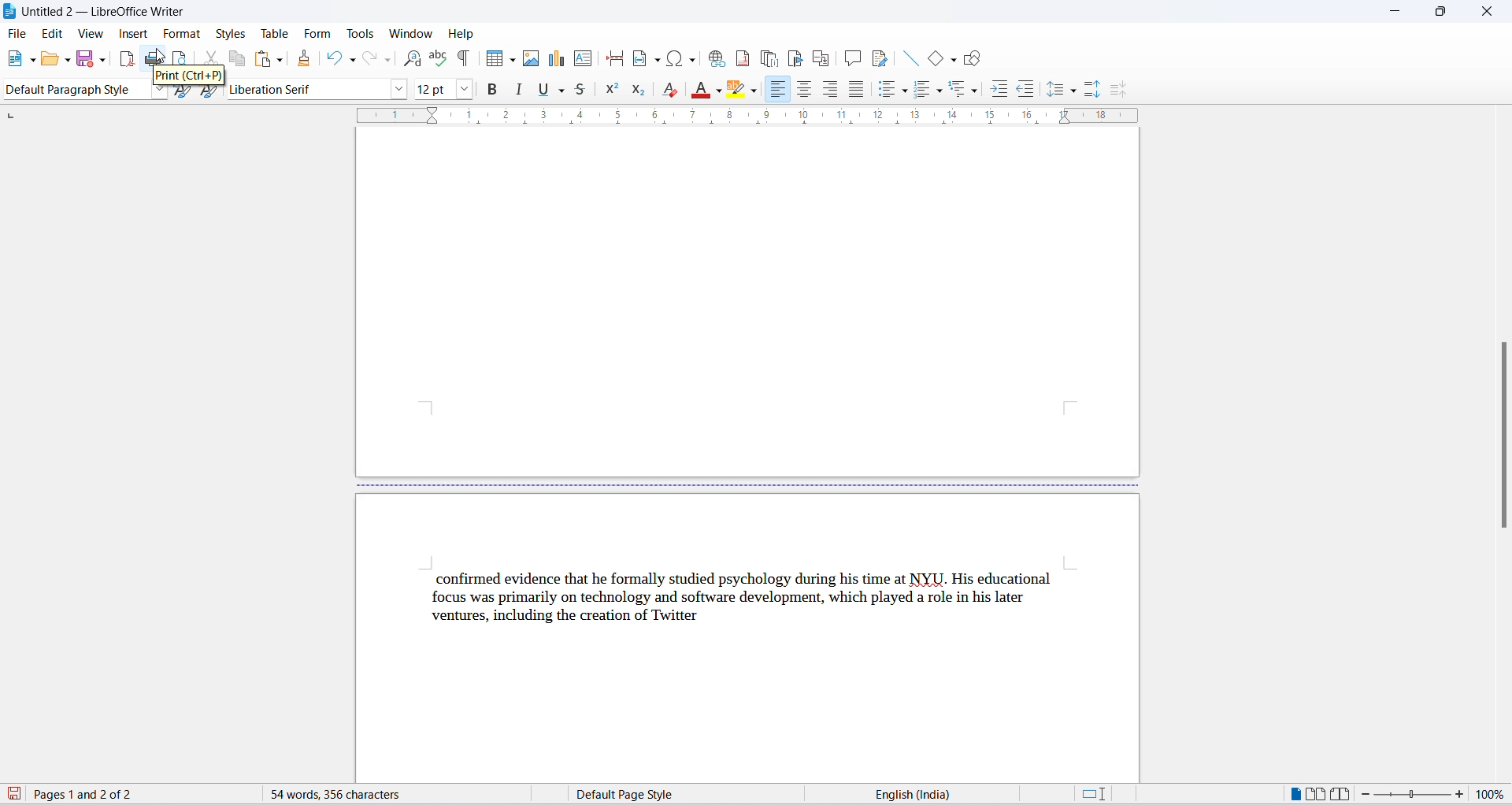  What do you see at coordinates (747, 117) in the screenshot?
I see `scaling` at bounding box center [747, 117].